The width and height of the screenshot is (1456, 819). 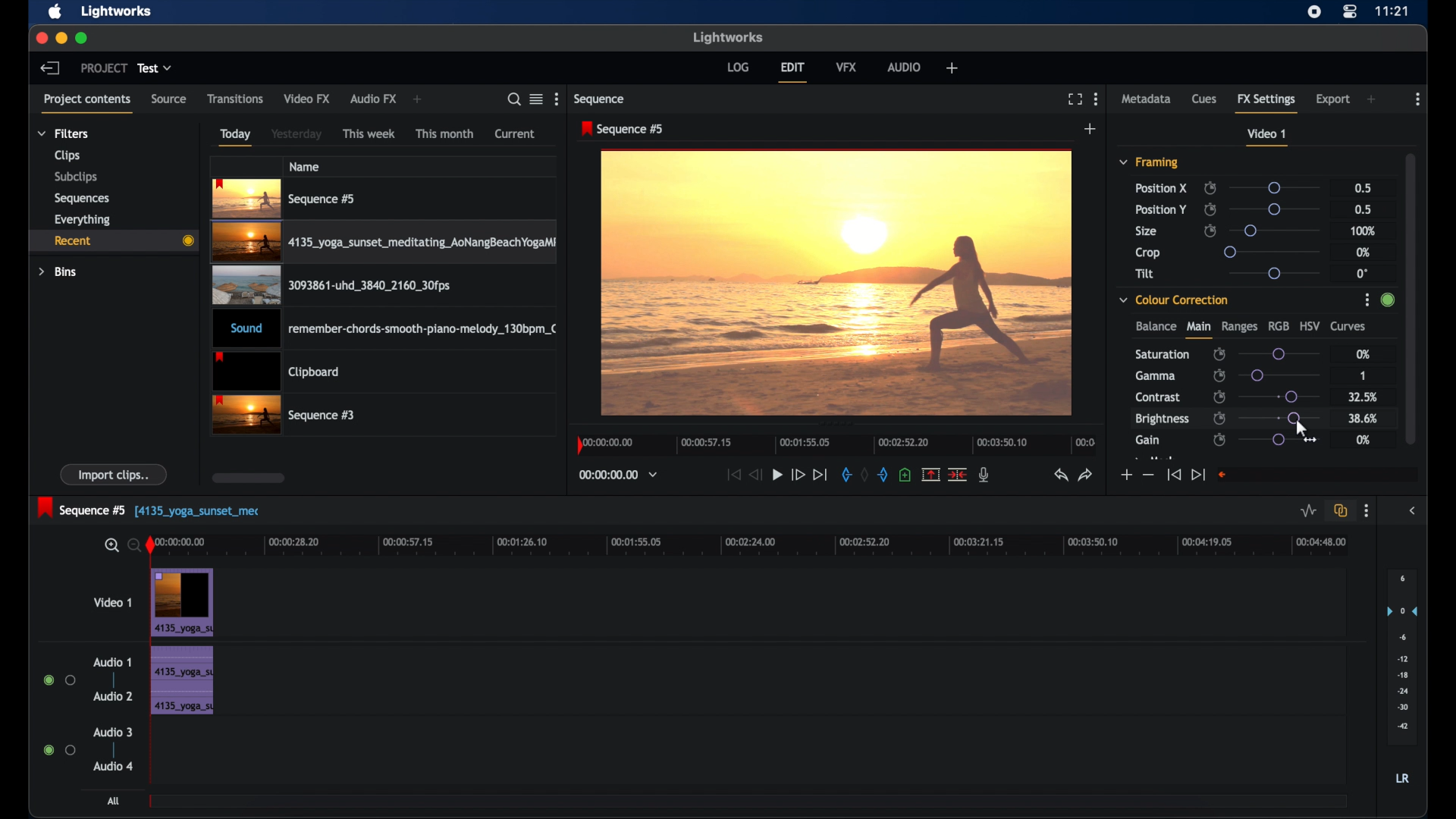 What do you see at coordinates (297, 134) in the screenshot?
I see `yesterday` at bounding box center [297, 134].